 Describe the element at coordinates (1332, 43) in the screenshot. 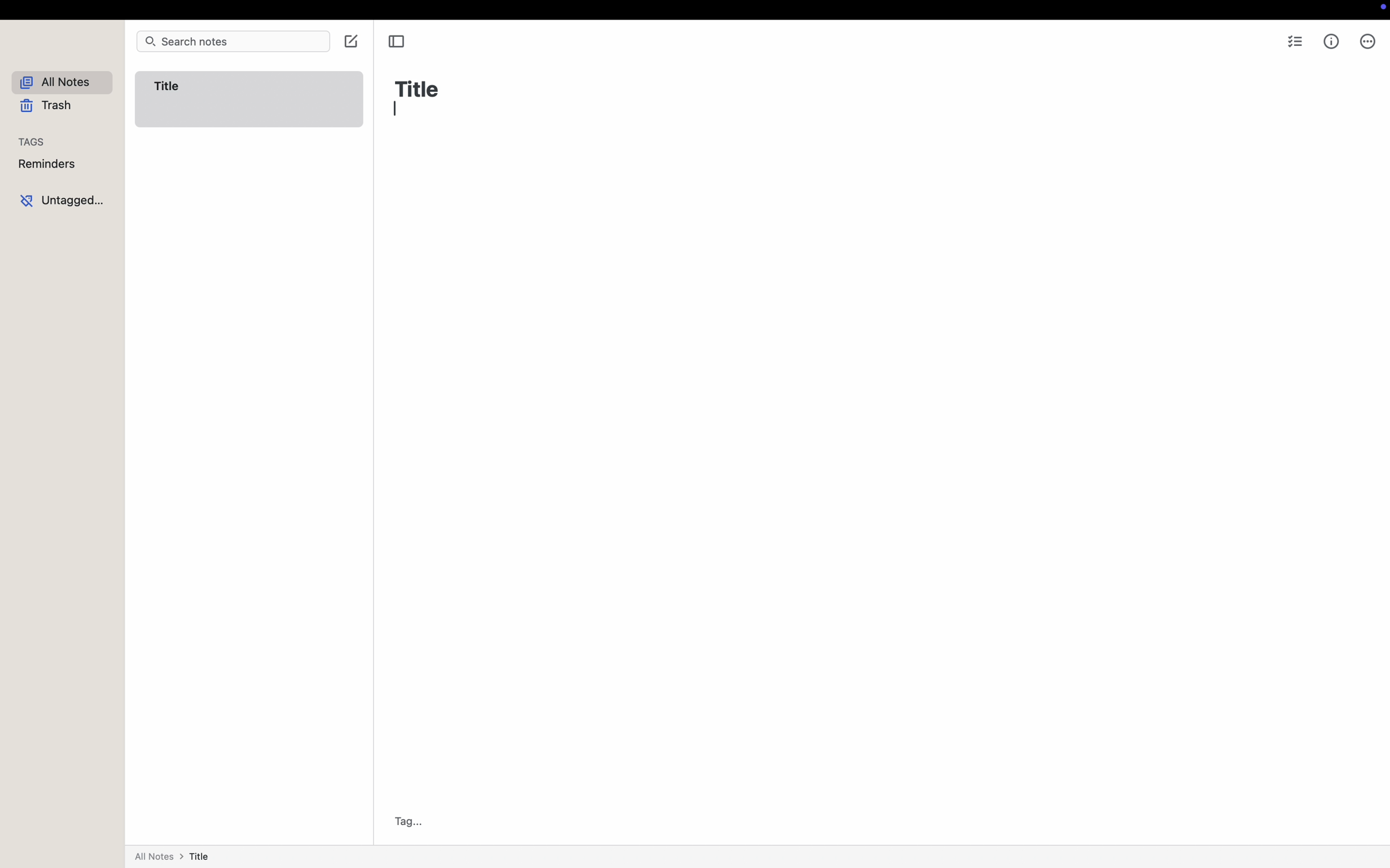

I see `metrics` at that location.